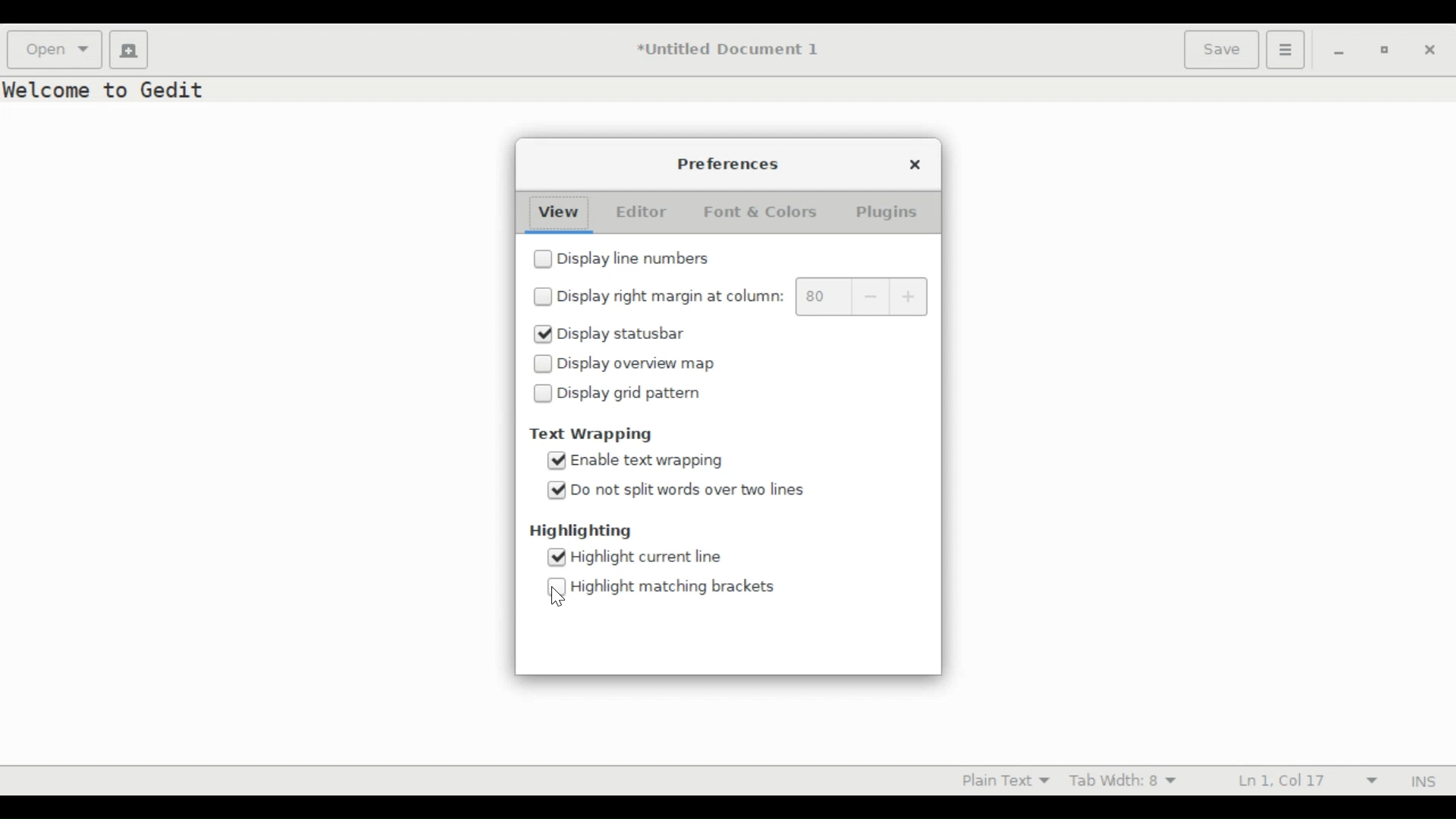 This screenshot has width=1456, height=819. I want to click on checked checkbox, so click(557, 557).